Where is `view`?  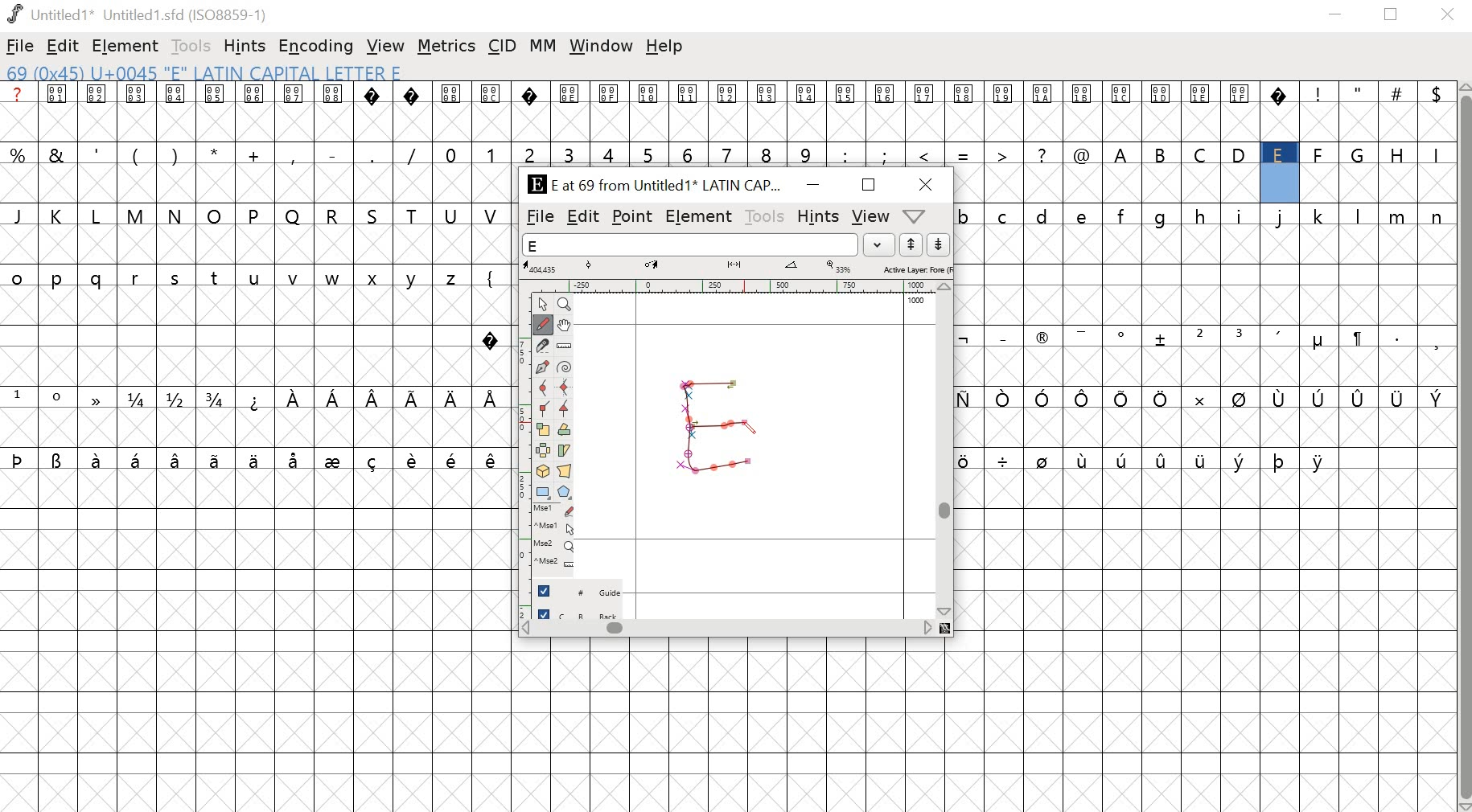 view is located at coordinates (386, 46).